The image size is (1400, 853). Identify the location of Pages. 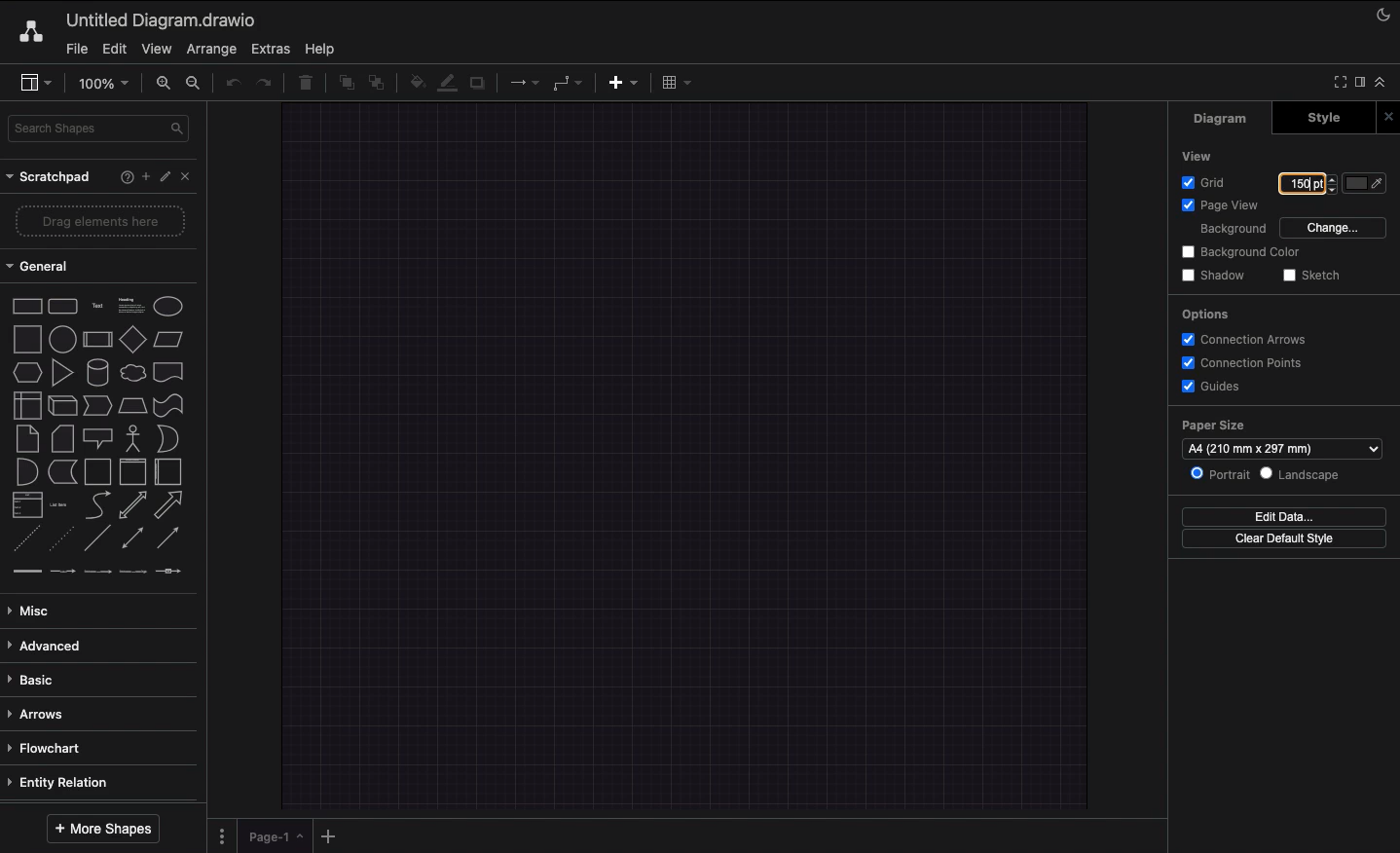
(220, 835).